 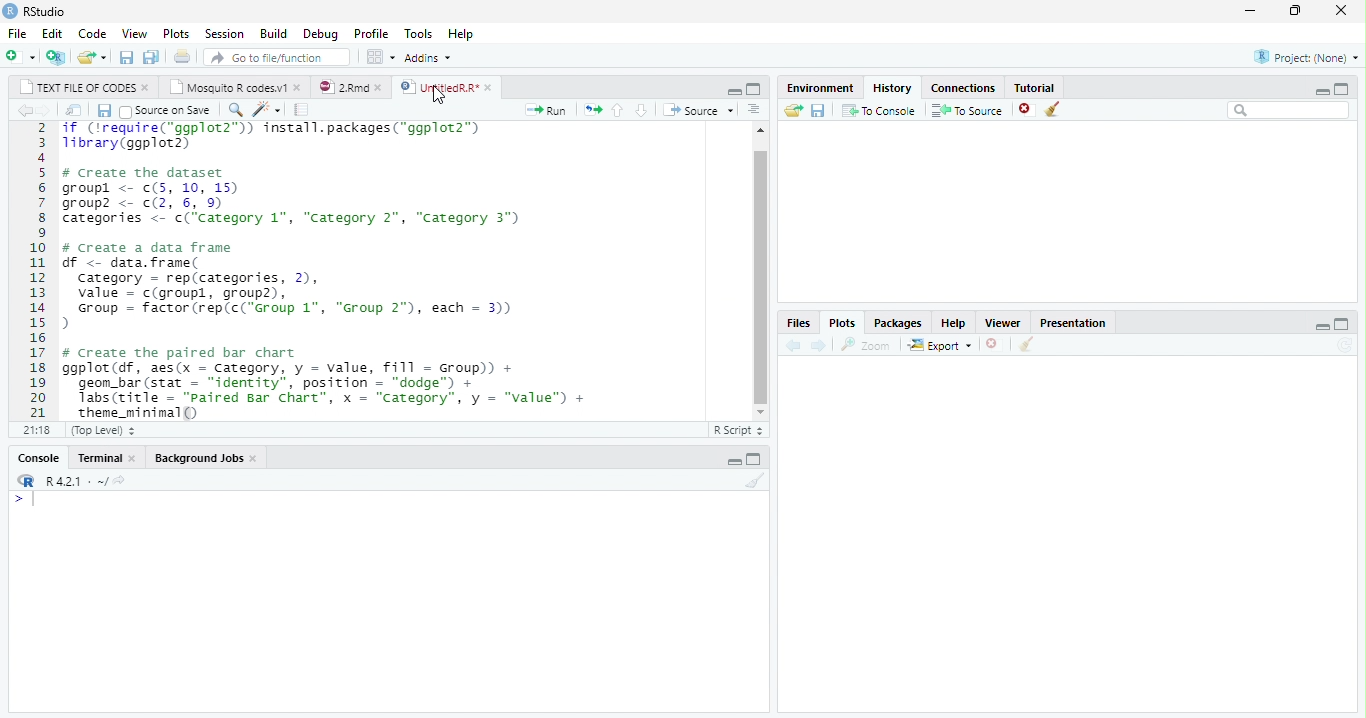 What do you see at coordinates (54, 56) in the screenshot?
I see `create a project` at bounding box center [54, 56].